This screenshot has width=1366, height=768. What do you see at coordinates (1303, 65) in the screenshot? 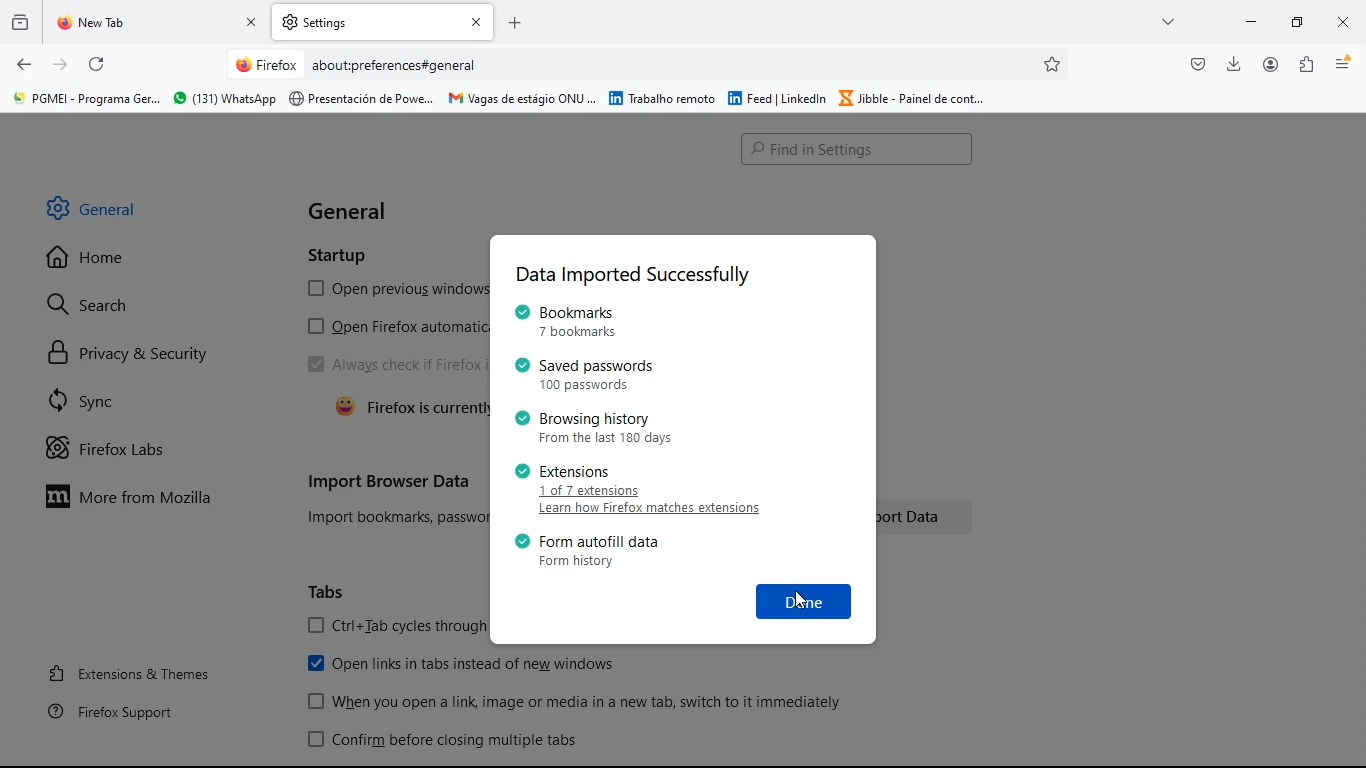
I see `extentions` at bounding box center [1303, 65].